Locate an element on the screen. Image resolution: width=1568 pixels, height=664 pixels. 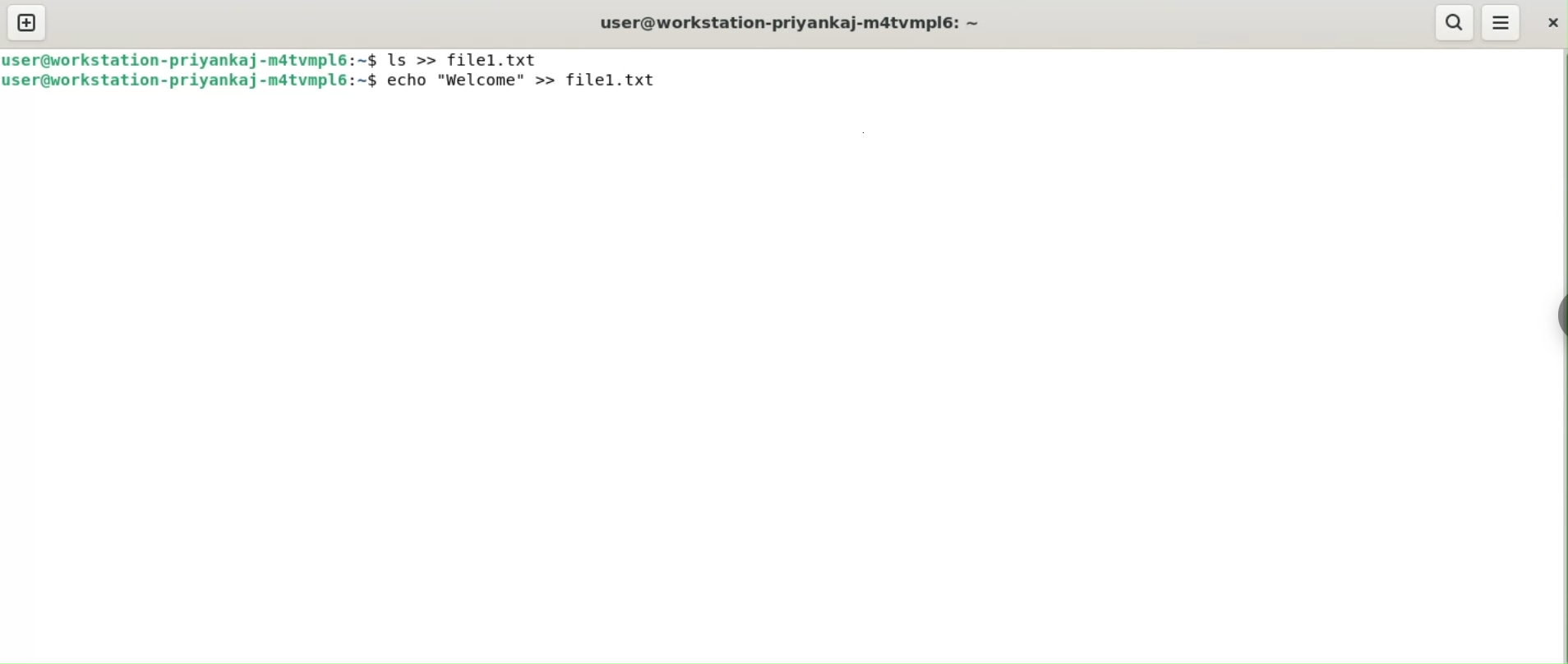
user@workstation-priyankaj-m4tvmpl6: ~ is located at coordinates (792, 22).